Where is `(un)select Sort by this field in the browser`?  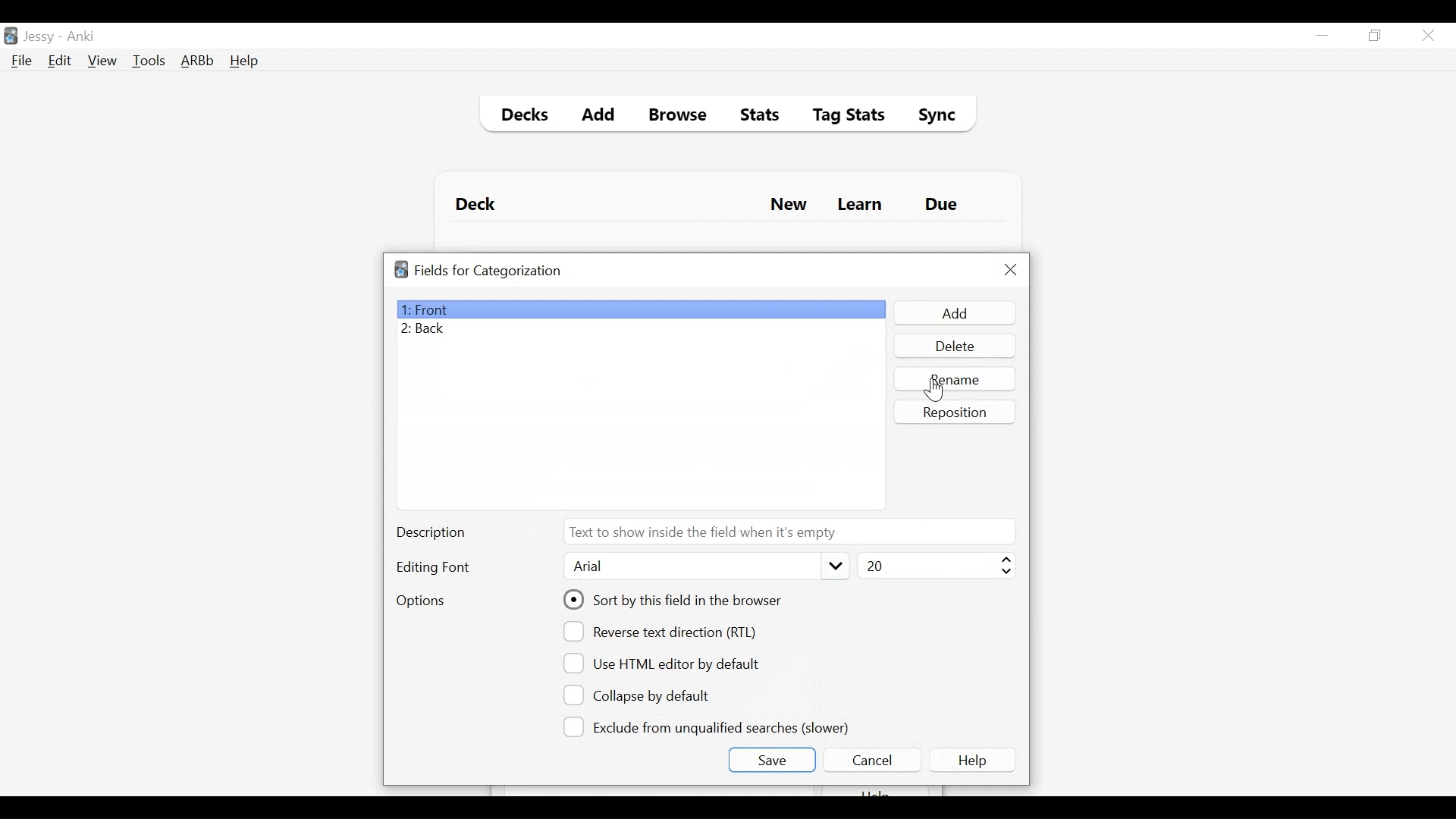
(un)select Sort by this field in the browser is located at coordinates (675, 600).